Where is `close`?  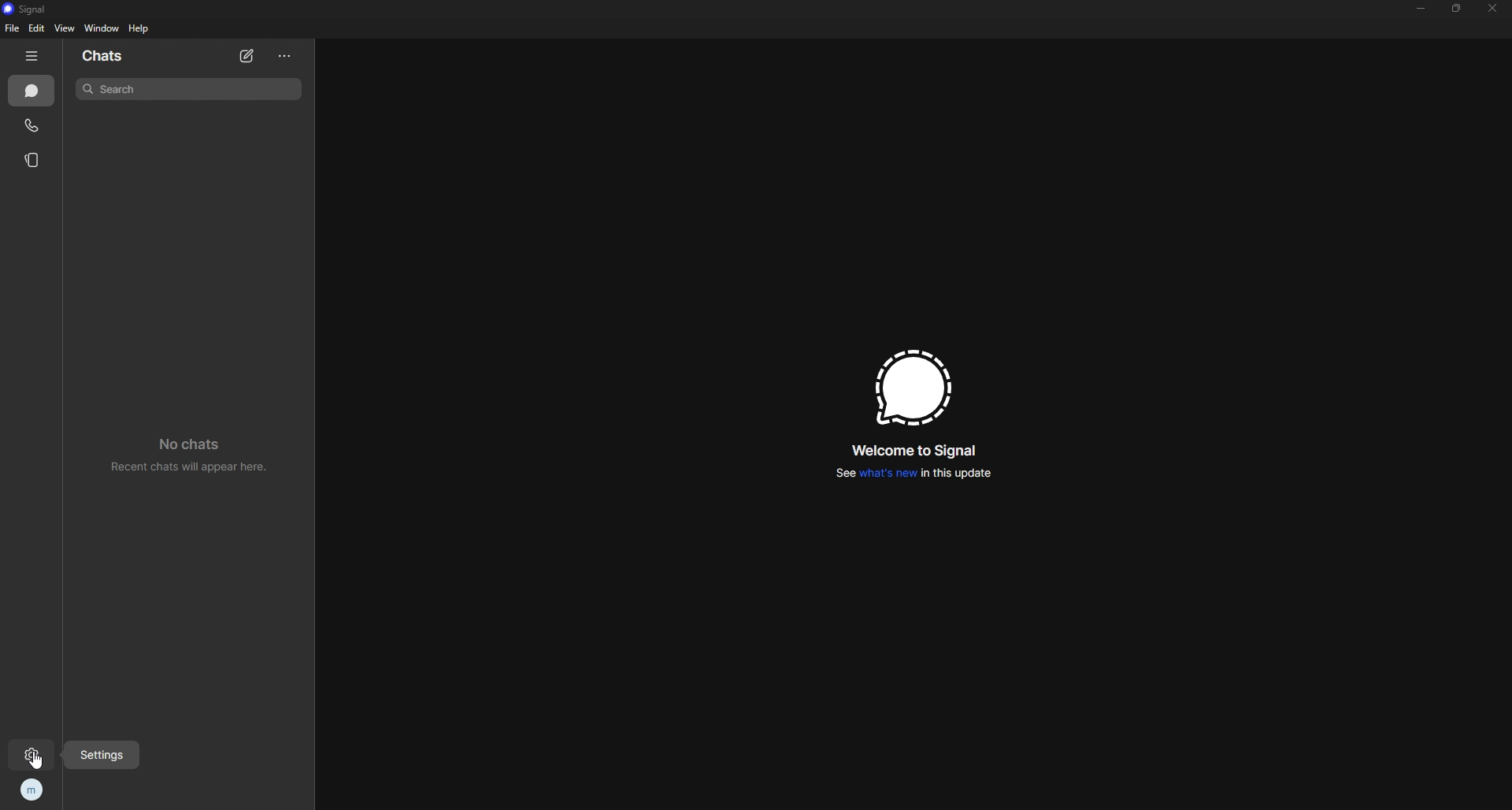 close is located at coordinates (1492, 9).